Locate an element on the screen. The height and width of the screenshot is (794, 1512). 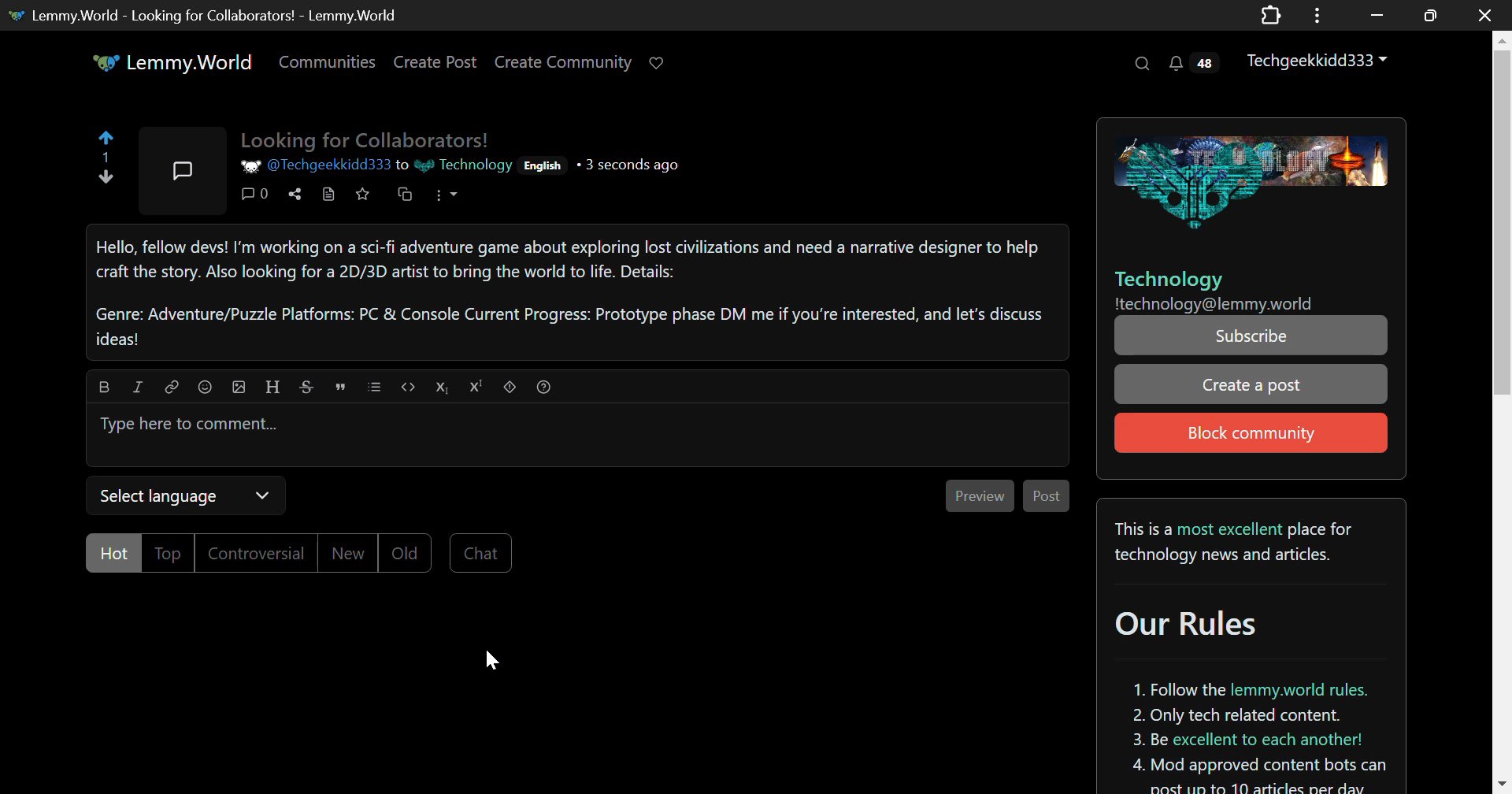
link is located at coordinates (170, 385).